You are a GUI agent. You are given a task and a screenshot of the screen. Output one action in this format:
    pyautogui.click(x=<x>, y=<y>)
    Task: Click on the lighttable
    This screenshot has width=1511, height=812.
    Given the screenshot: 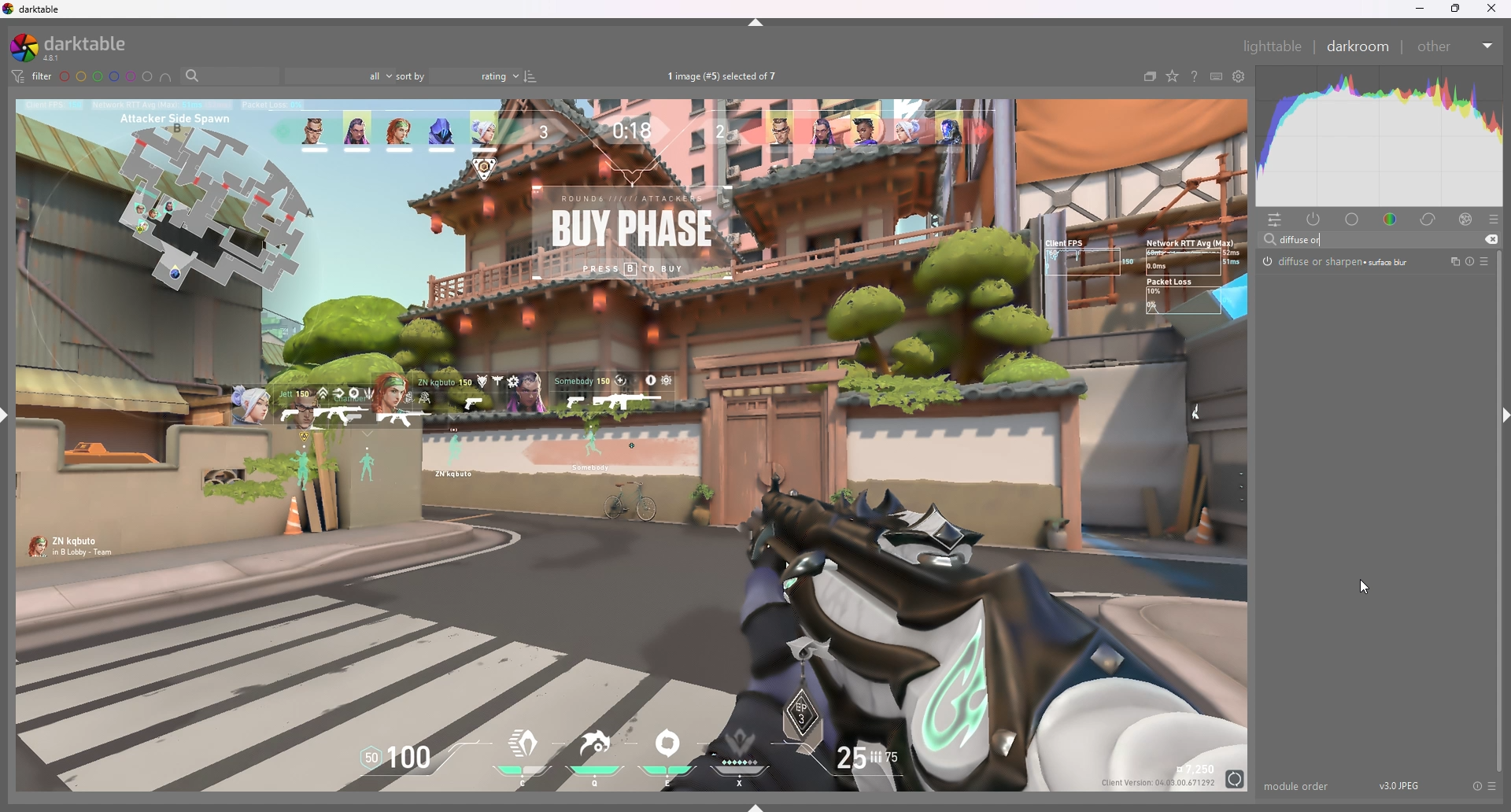 What is the action you would take?
    pyautogui.click(x=1275, y=47)
    